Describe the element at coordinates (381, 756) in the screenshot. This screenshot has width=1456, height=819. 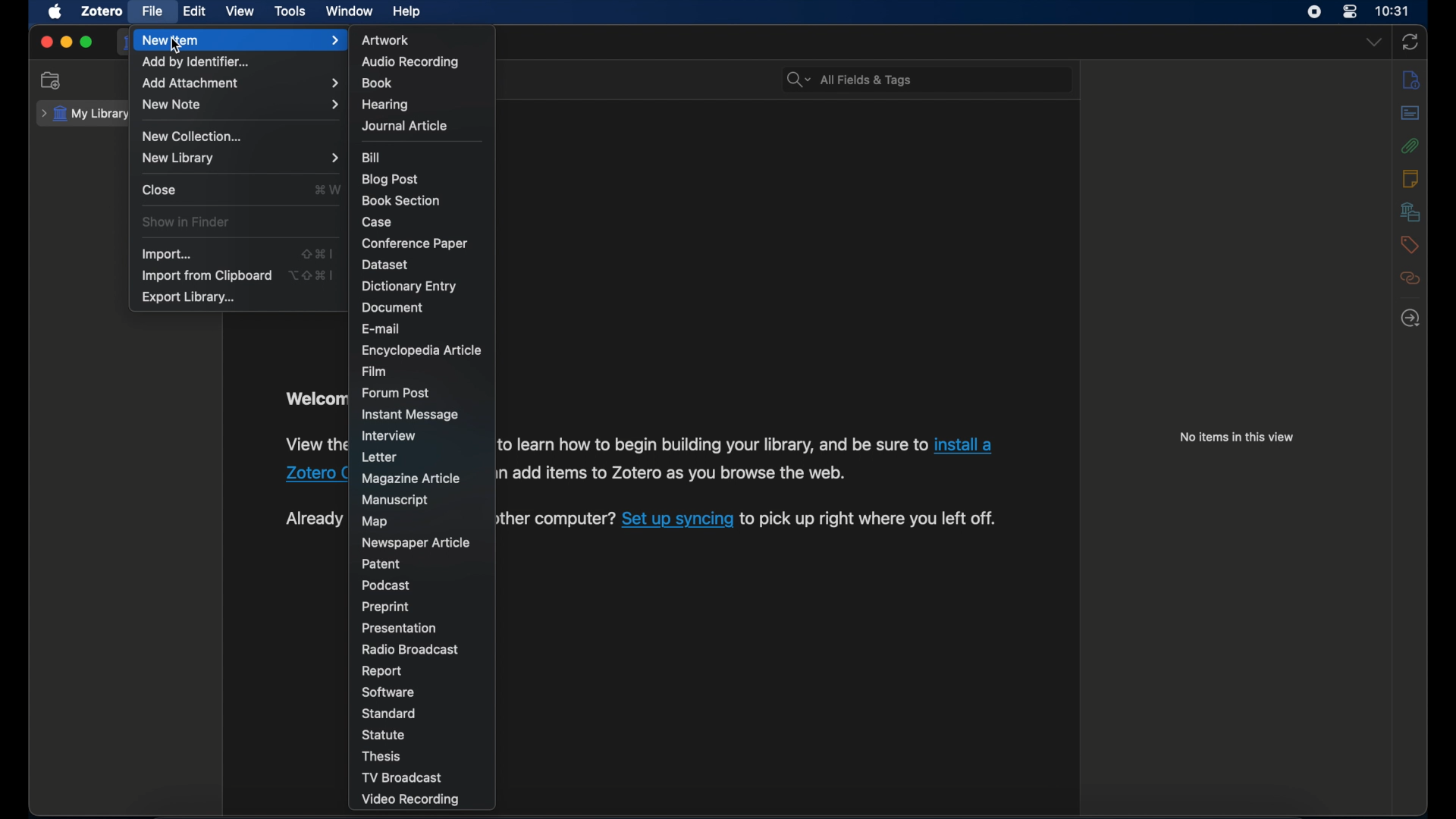
I see `thesis` at that location.